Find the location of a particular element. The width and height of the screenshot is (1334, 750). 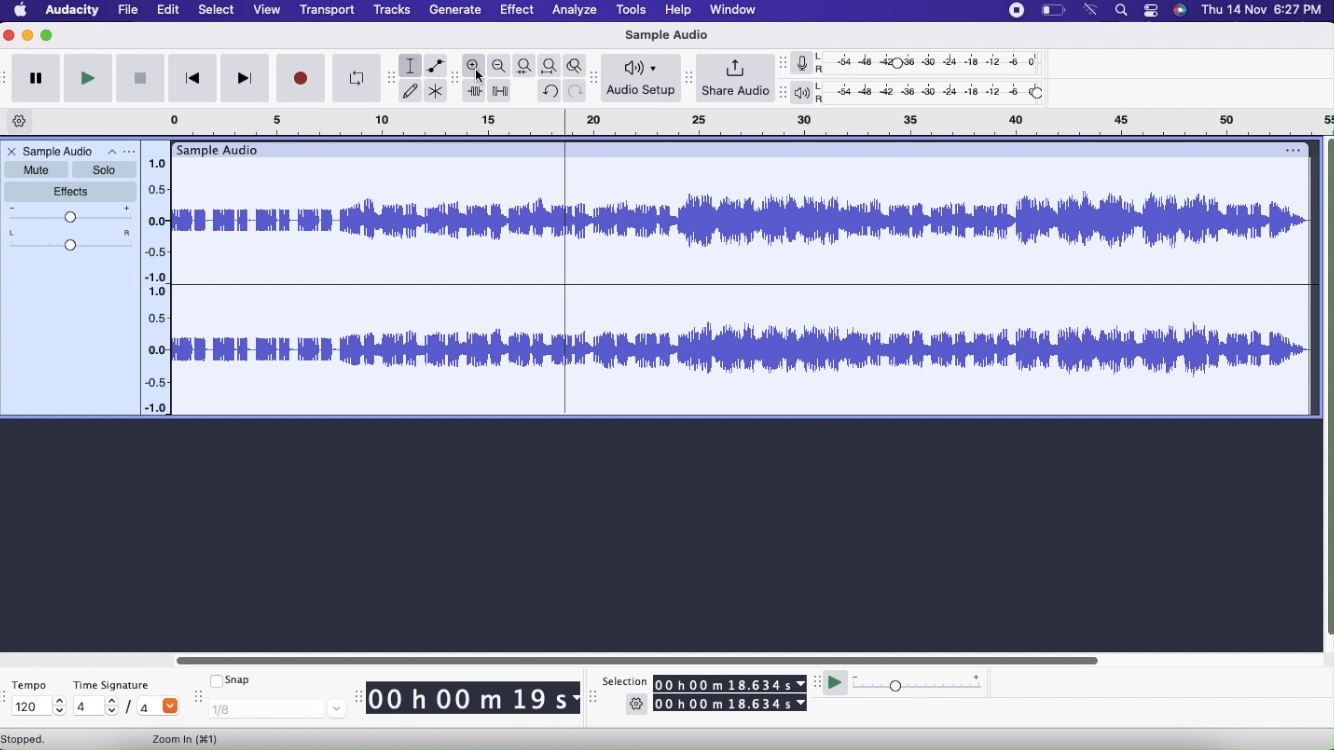

cursor is located at coordinates (480, 77).